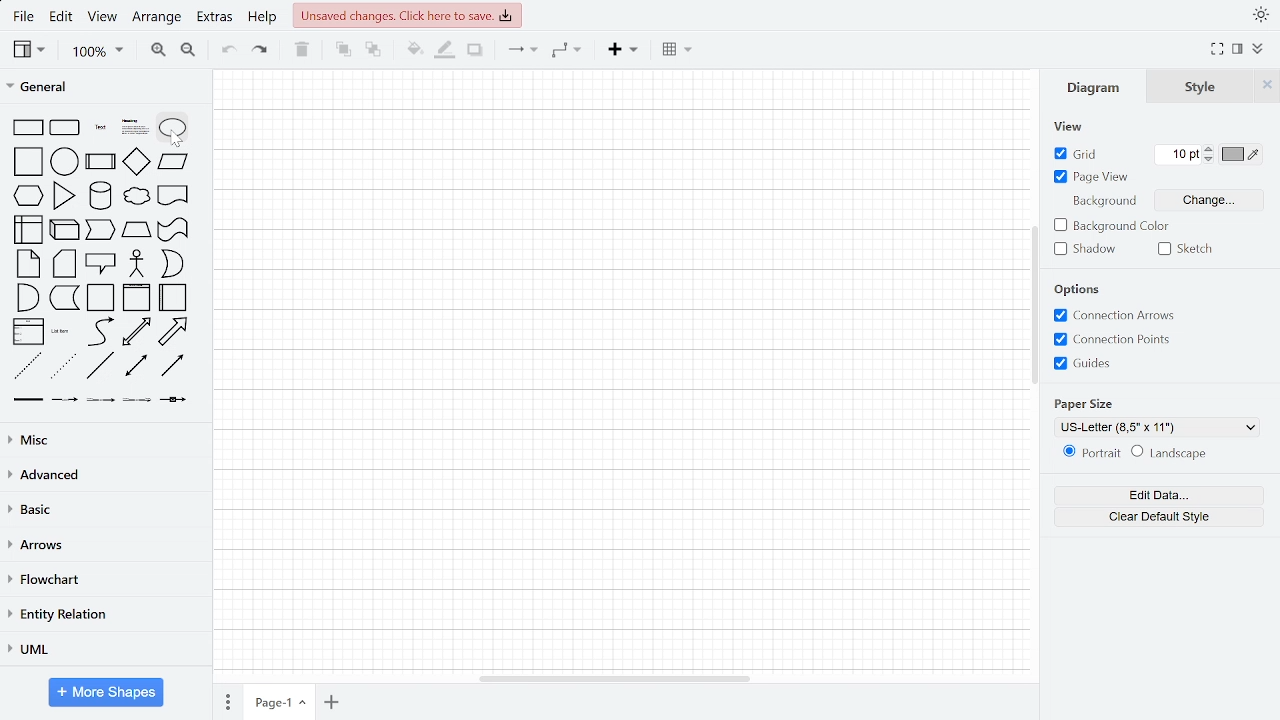 This screenshot has height=720, width=1280. What do you see at coordinates (1185, 250) in the screenshot?
I see `sketch` at bounding box center [1185, 250].